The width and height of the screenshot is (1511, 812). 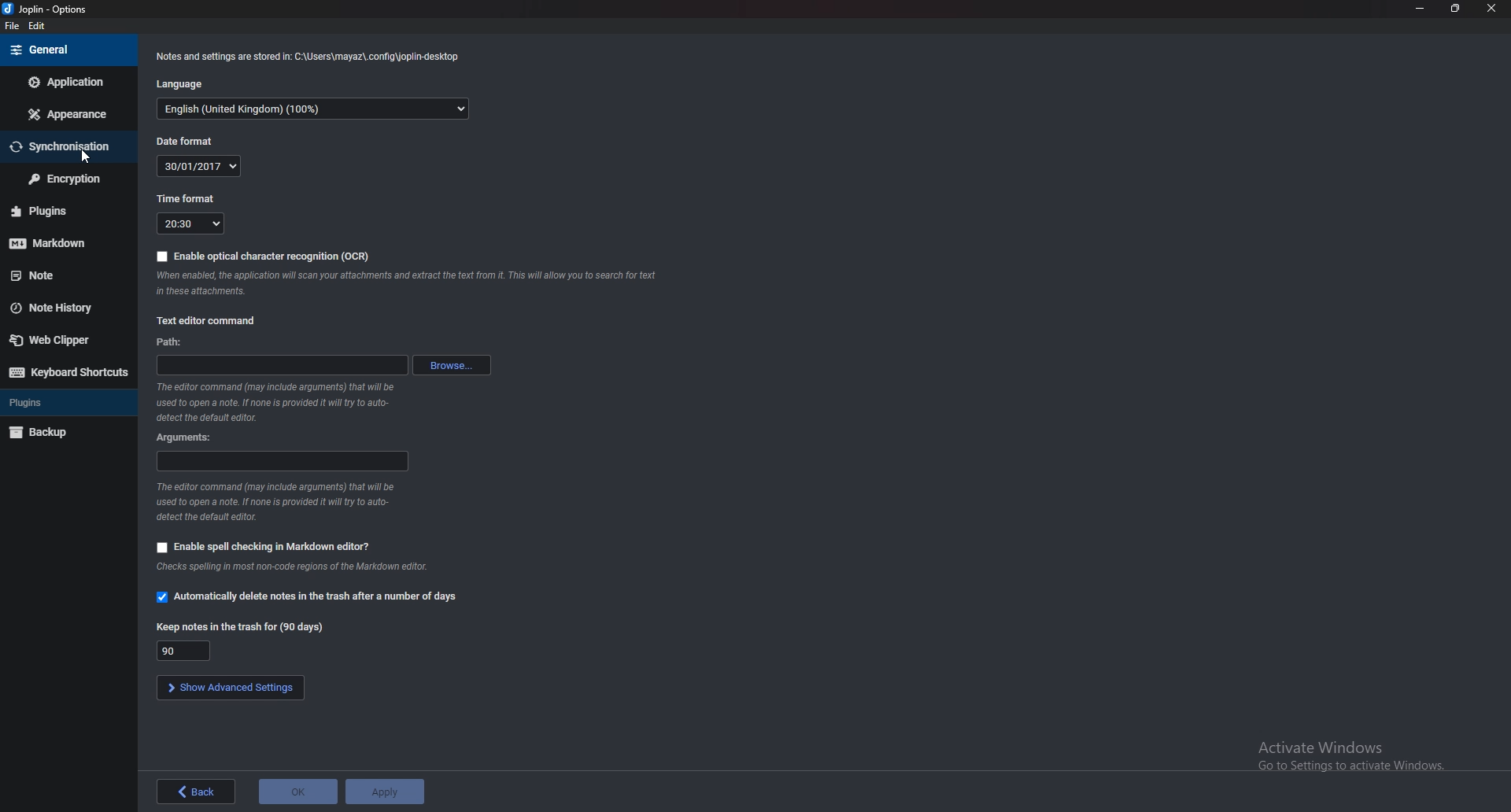 What do you see at coordinates (87, 155) in the screenshot?
I see `cursor` at bounding box center [87, 155].